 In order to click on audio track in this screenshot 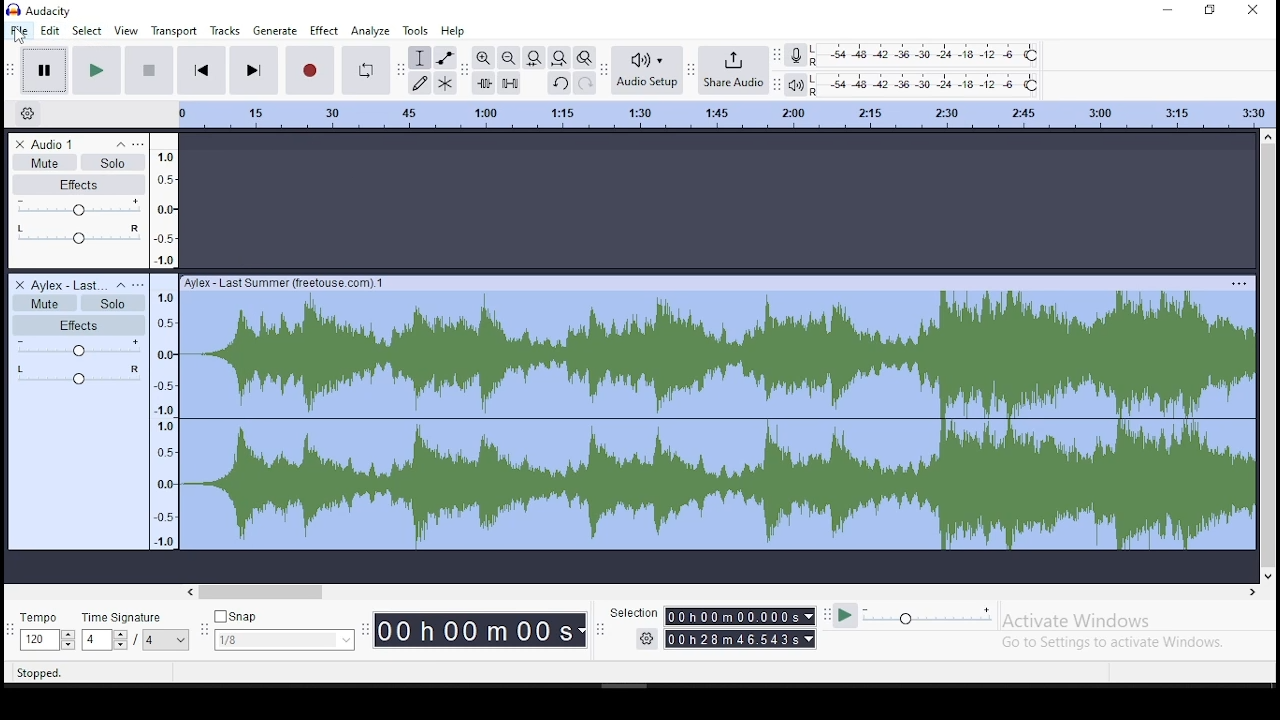, I will do `click(716, 414)`.